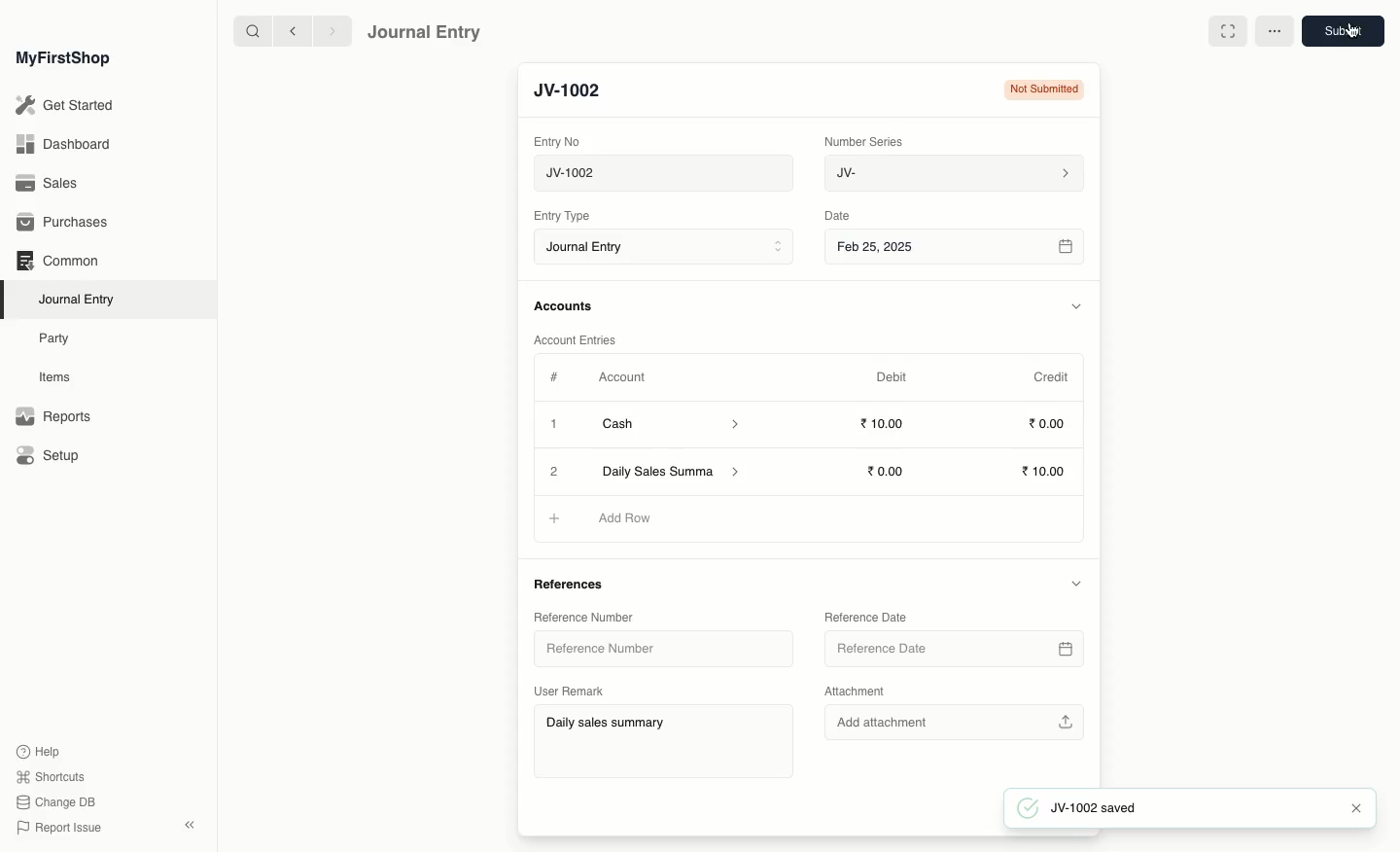 This screenshot has height=852, width=1400. Describe the element at coordinates (621, 377) in the screenshot. I see `Account` at that location.